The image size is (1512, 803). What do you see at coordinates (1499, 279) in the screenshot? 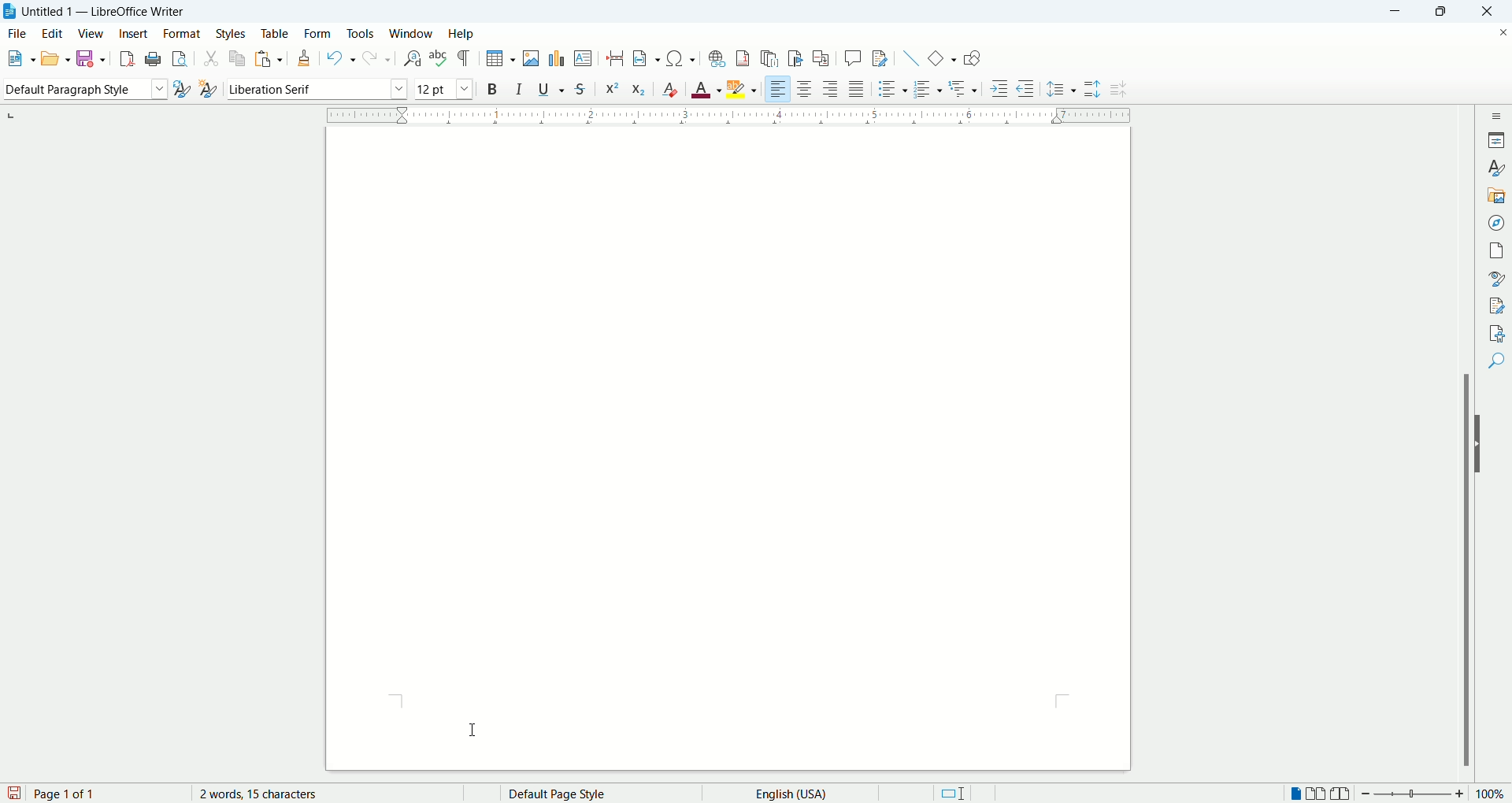
I see `style inspector` at bounding box center [1499, 279].